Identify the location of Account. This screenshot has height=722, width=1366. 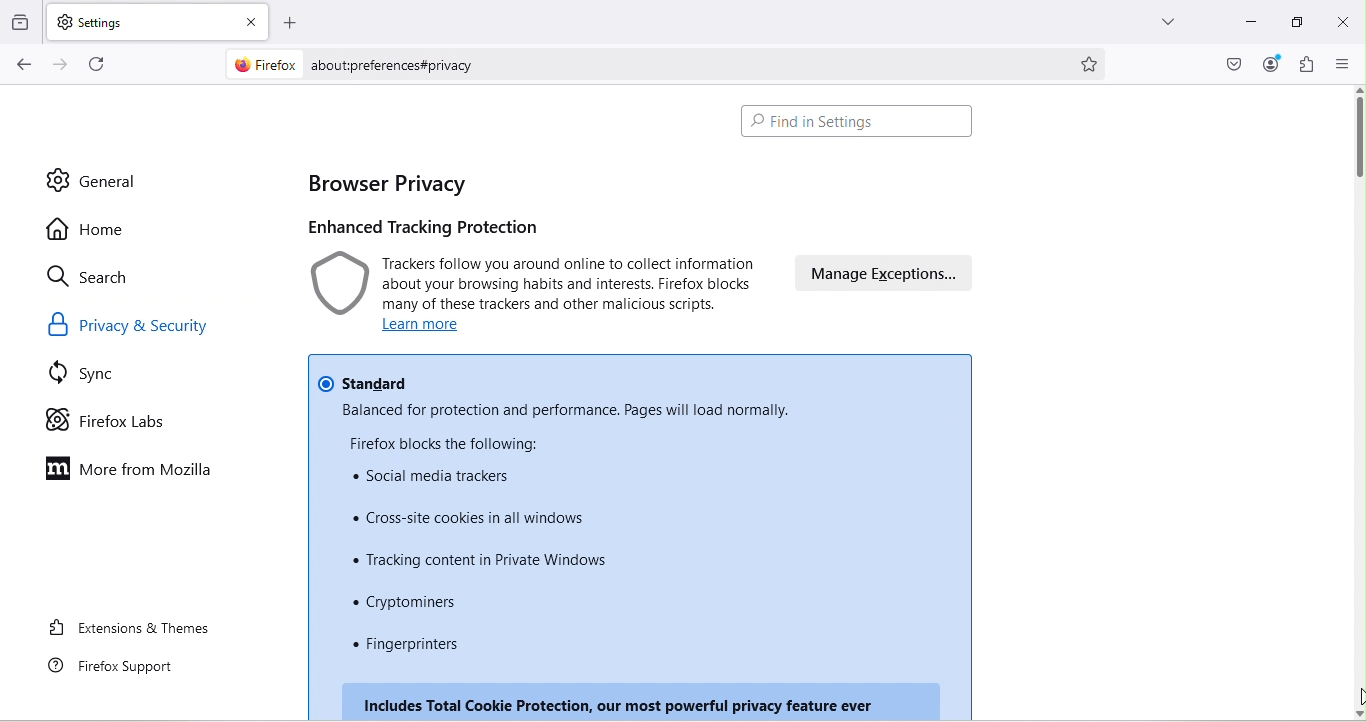
(1272, 65).